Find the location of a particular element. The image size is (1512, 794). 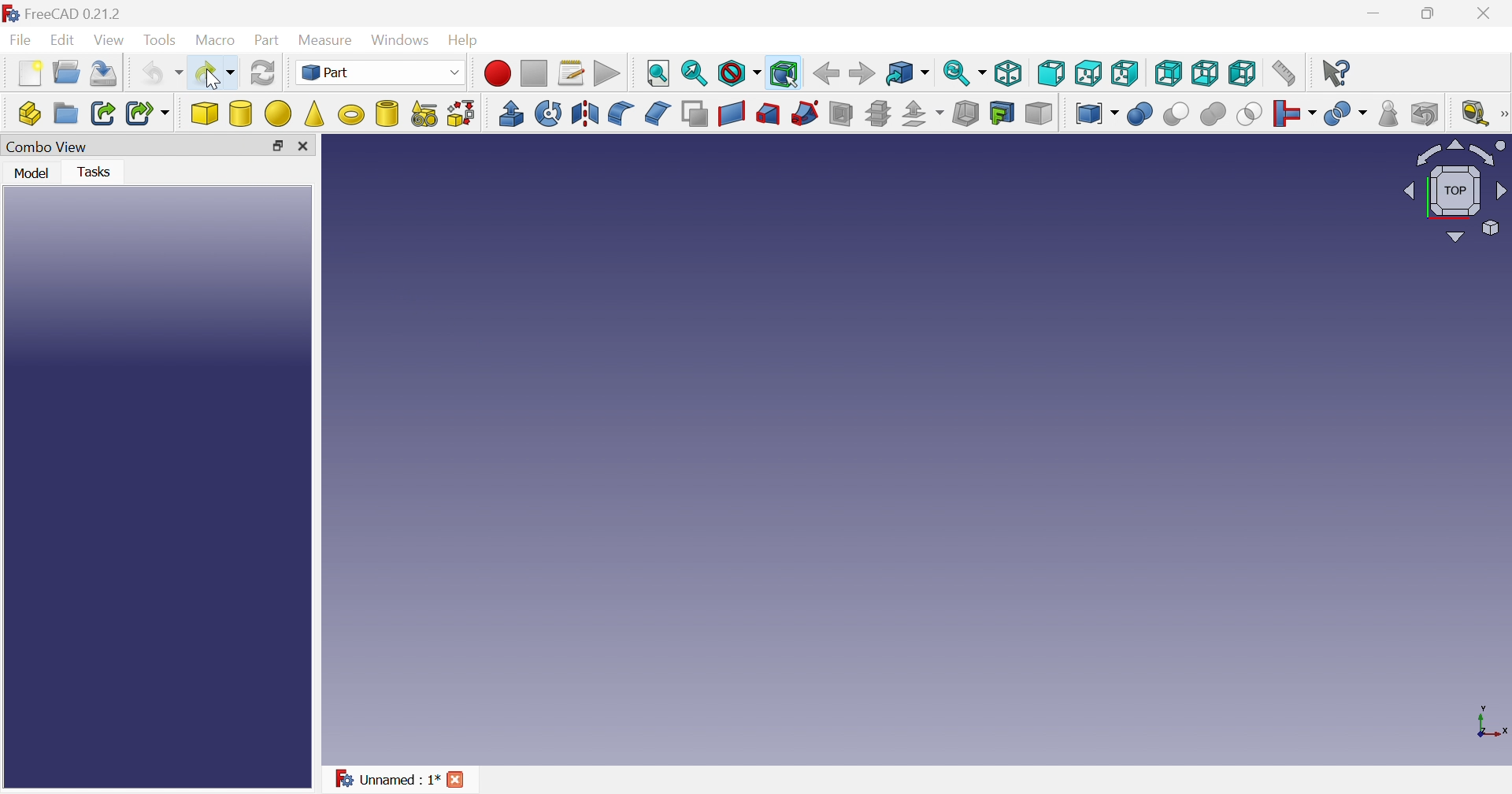

Save is located at coordinates (104, 75).